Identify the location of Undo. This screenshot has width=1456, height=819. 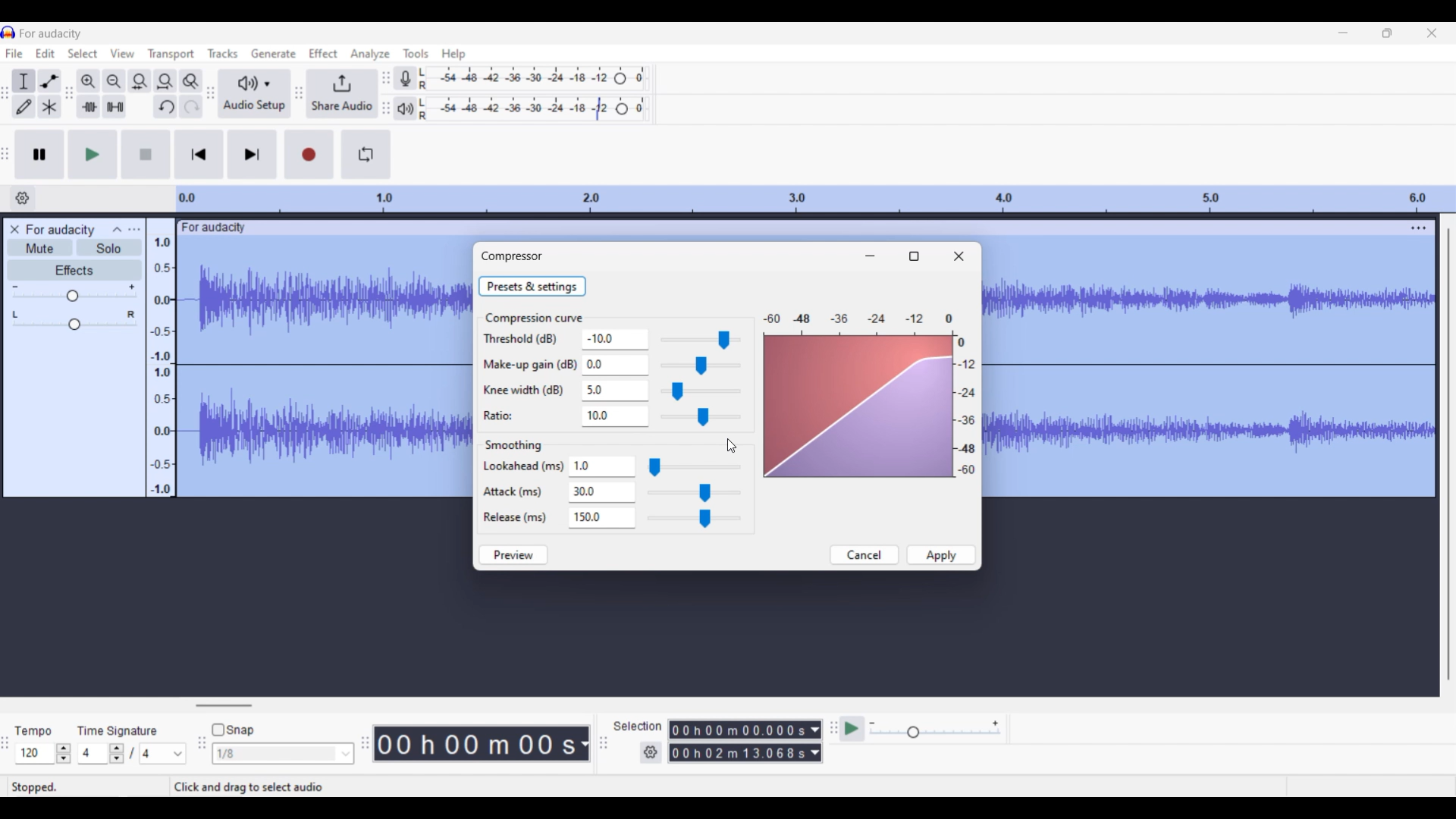
(165, 106).